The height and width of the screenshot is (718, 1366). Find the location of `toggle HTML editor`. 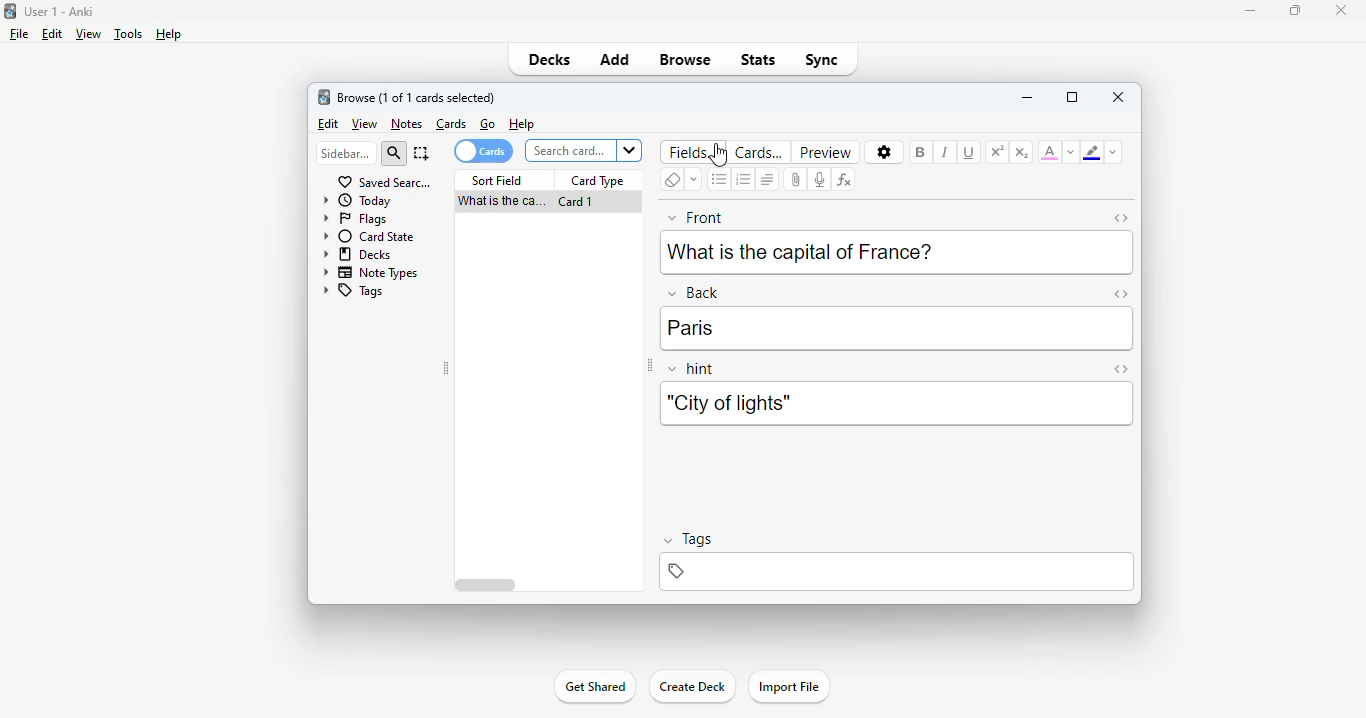

toggle HTML editor is located at coordinates (1122, 218).